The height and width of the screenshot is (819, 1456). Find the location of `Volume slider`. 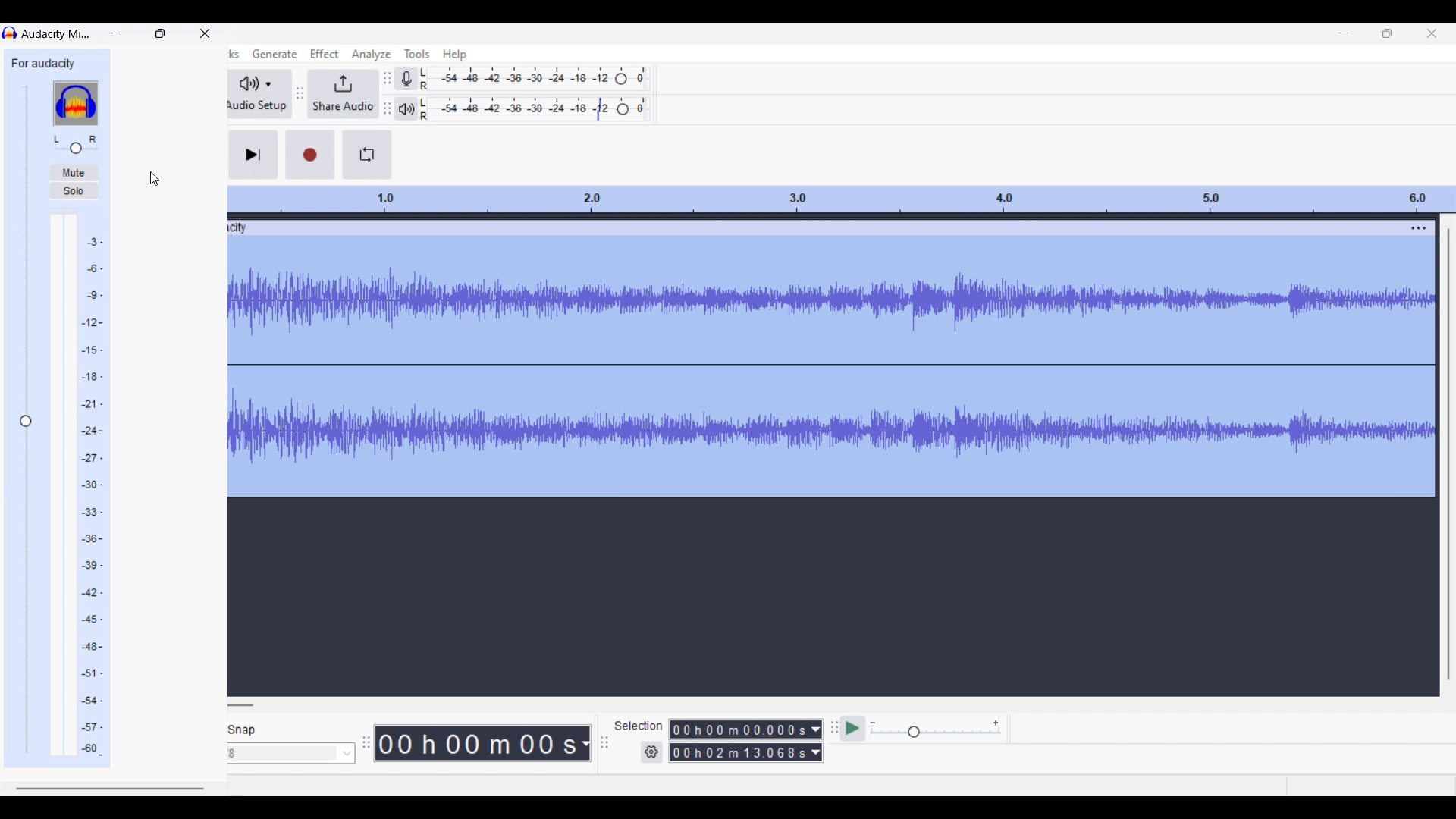

Volume slider is located at coordinates (26, 419).